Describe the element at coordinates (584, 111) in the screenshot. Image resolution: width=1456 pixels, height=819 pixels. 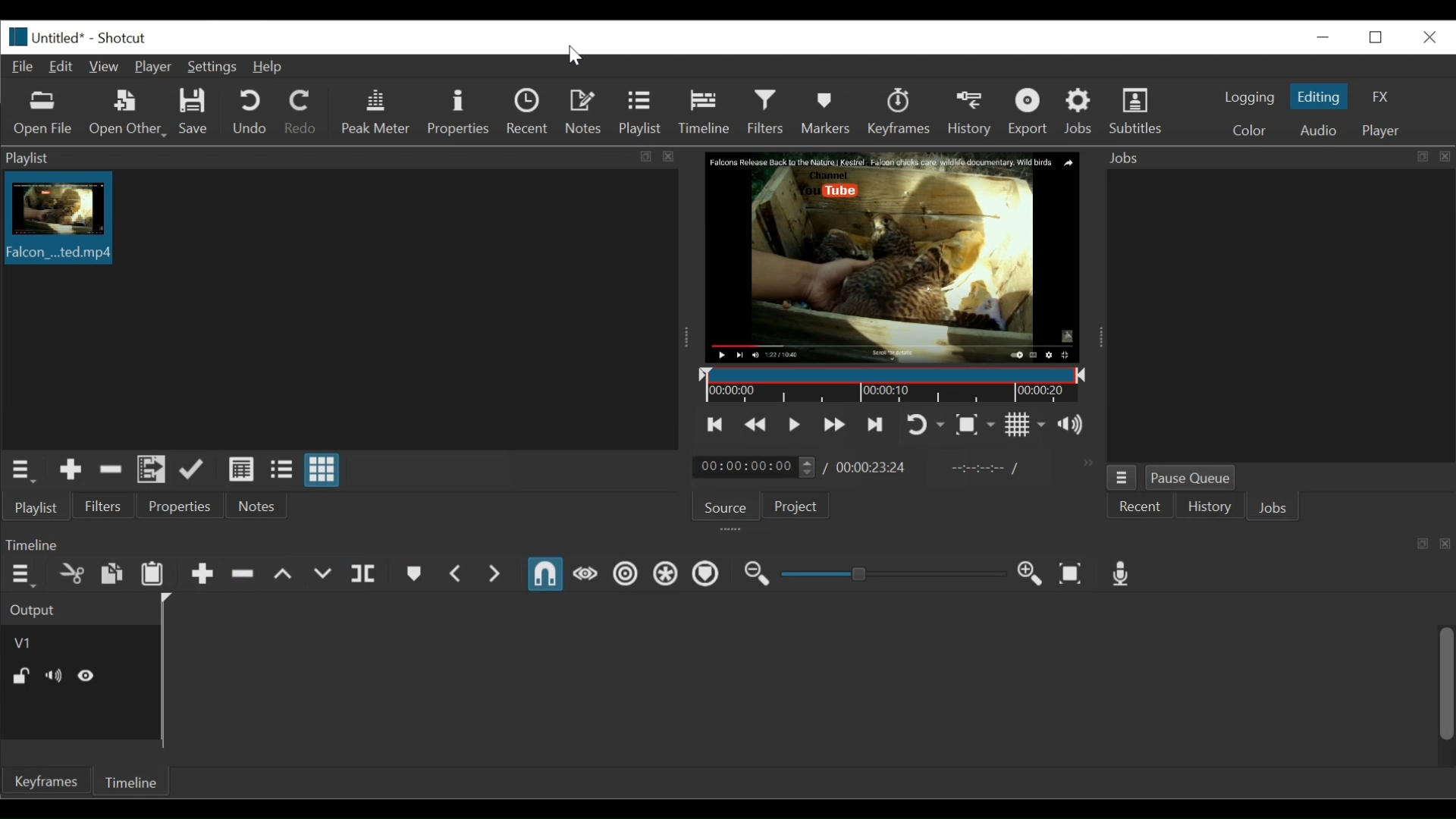
I see `Notes` at that location.